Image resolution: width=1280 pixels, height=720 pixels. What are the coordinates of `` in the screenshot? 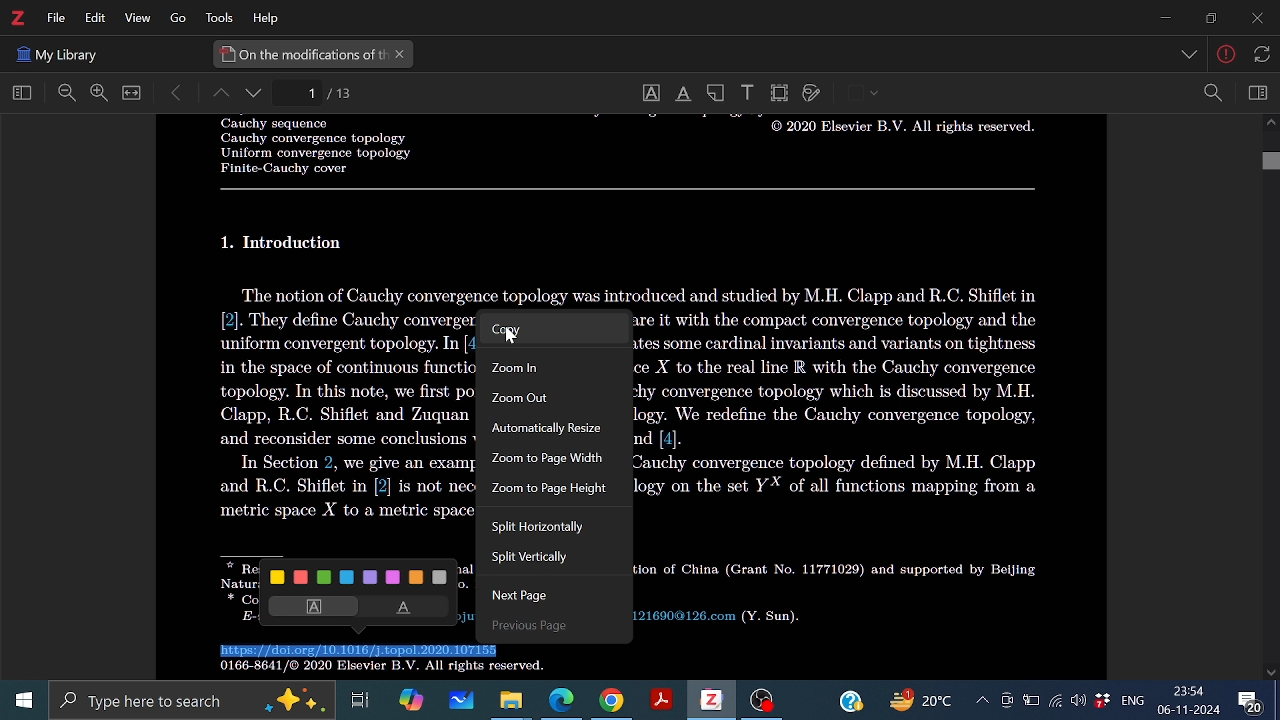 It's located at (374, 669).